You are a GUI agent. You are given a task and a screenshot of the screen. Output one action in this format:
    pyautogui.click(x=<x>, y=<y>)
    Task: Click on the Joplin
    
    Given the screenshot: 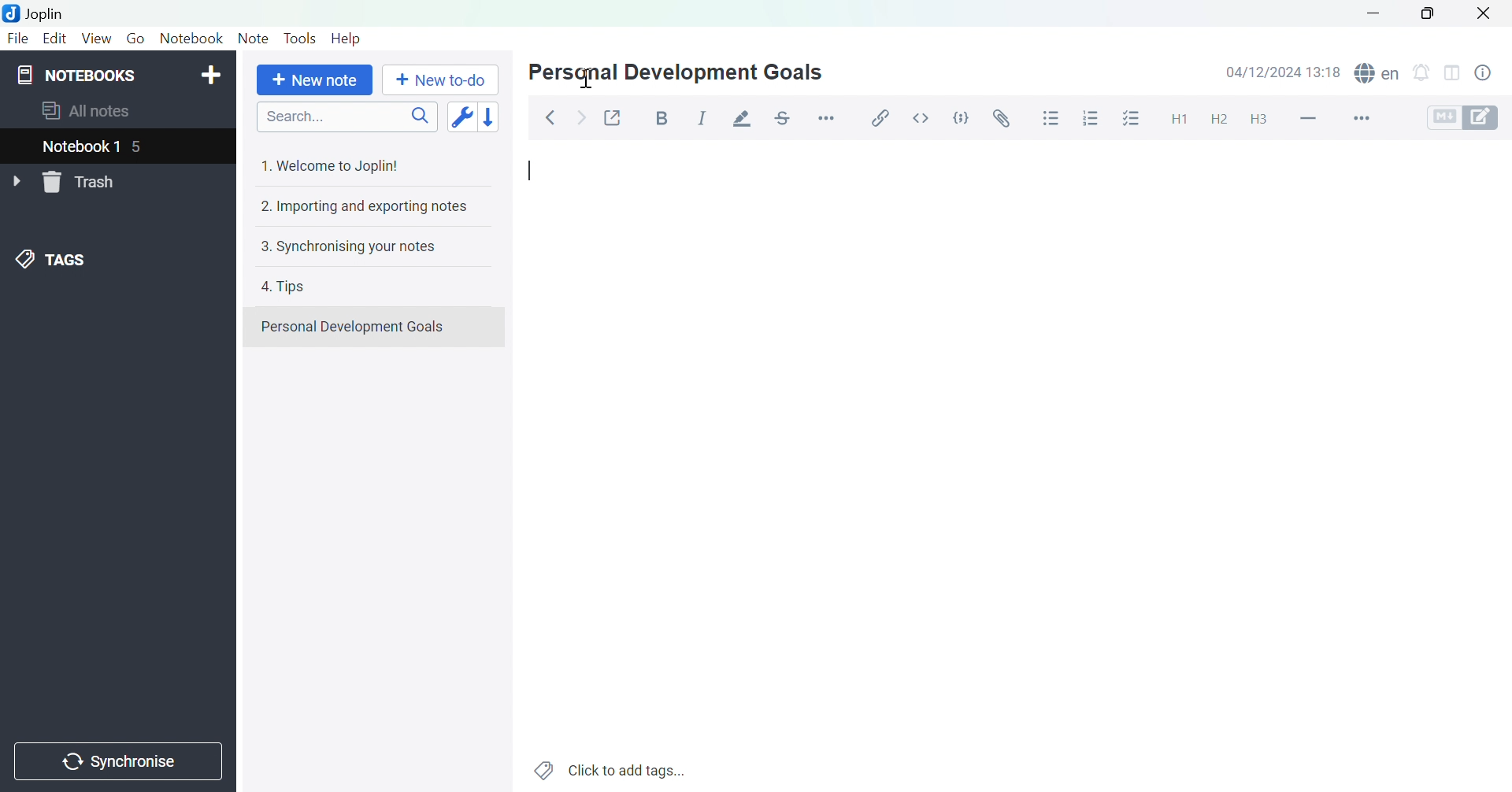 What is the action you would take?
    pyautogui.click(x=37, y=13)
    